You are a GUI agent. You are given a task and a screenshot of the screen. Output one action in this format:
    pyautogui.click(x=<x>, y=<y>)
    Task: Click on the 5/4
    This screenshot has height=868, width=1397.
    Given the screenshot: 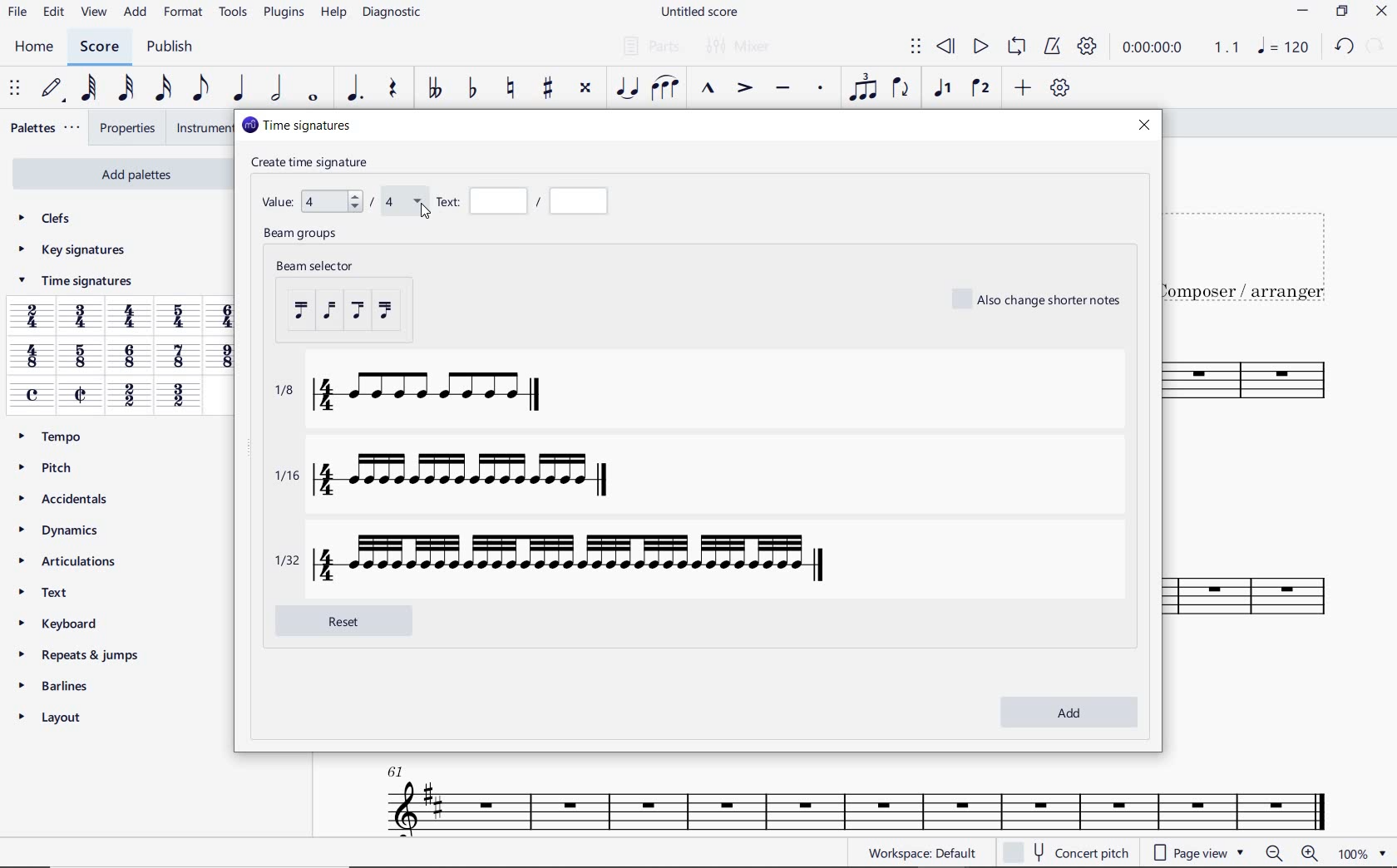 What is the action you would take?
    pyautogui.click(x=182, y=316)
    